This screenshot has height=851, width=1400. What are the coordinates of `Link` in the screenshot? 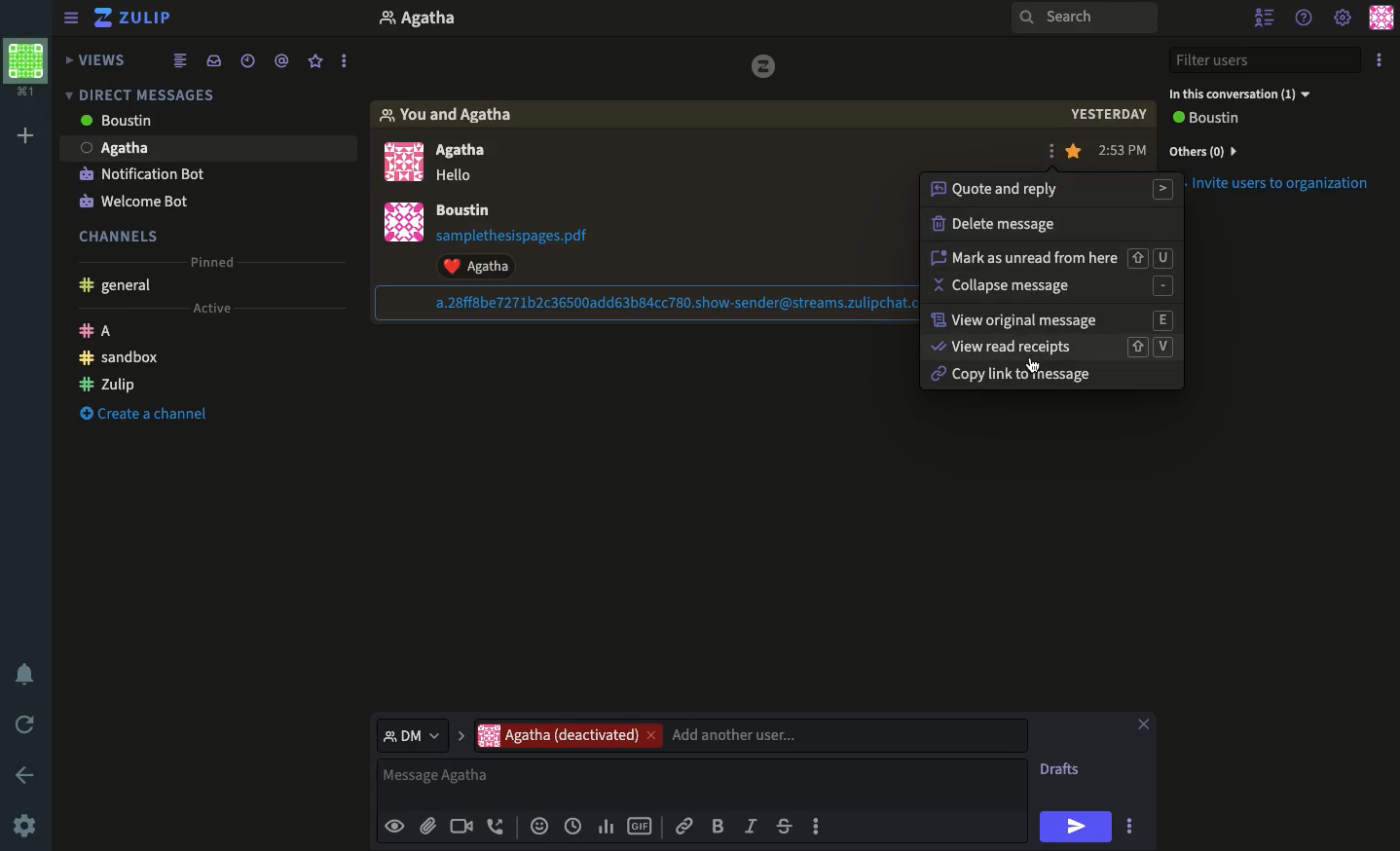 It's located at (684, 823).